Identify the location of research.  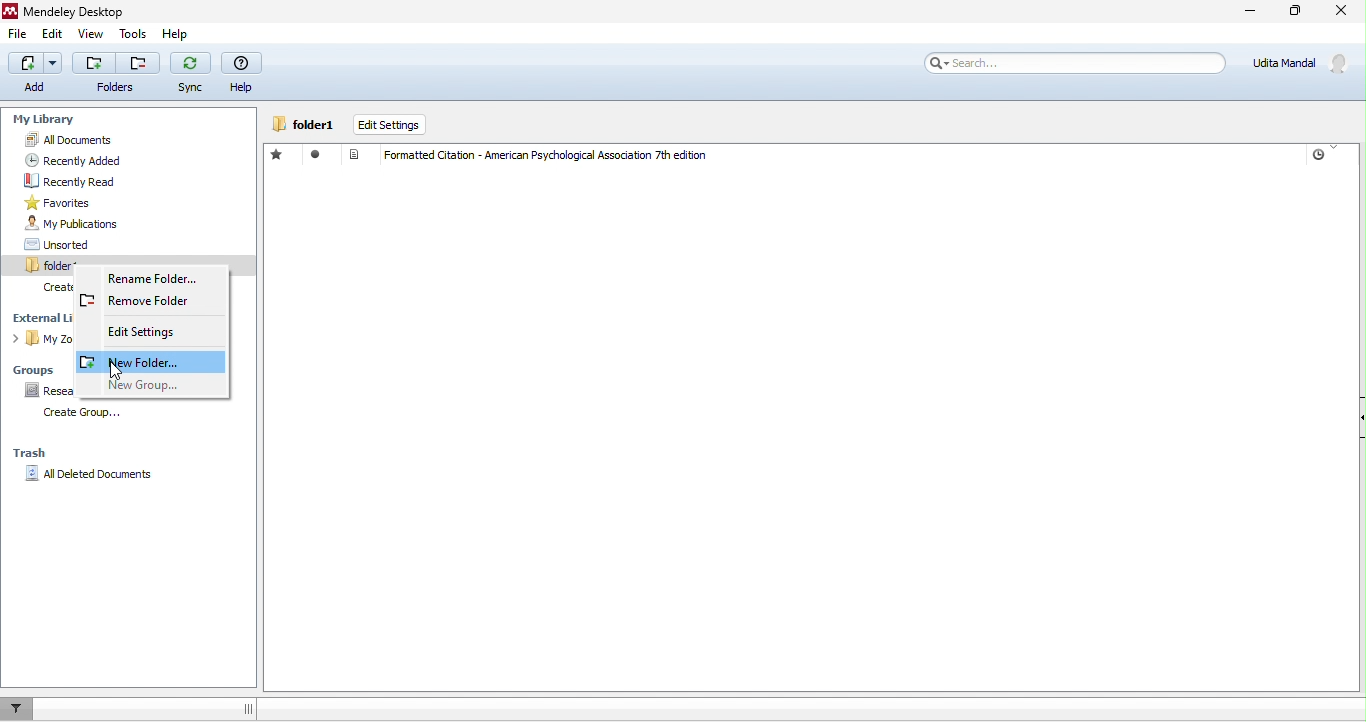
(47, 390).